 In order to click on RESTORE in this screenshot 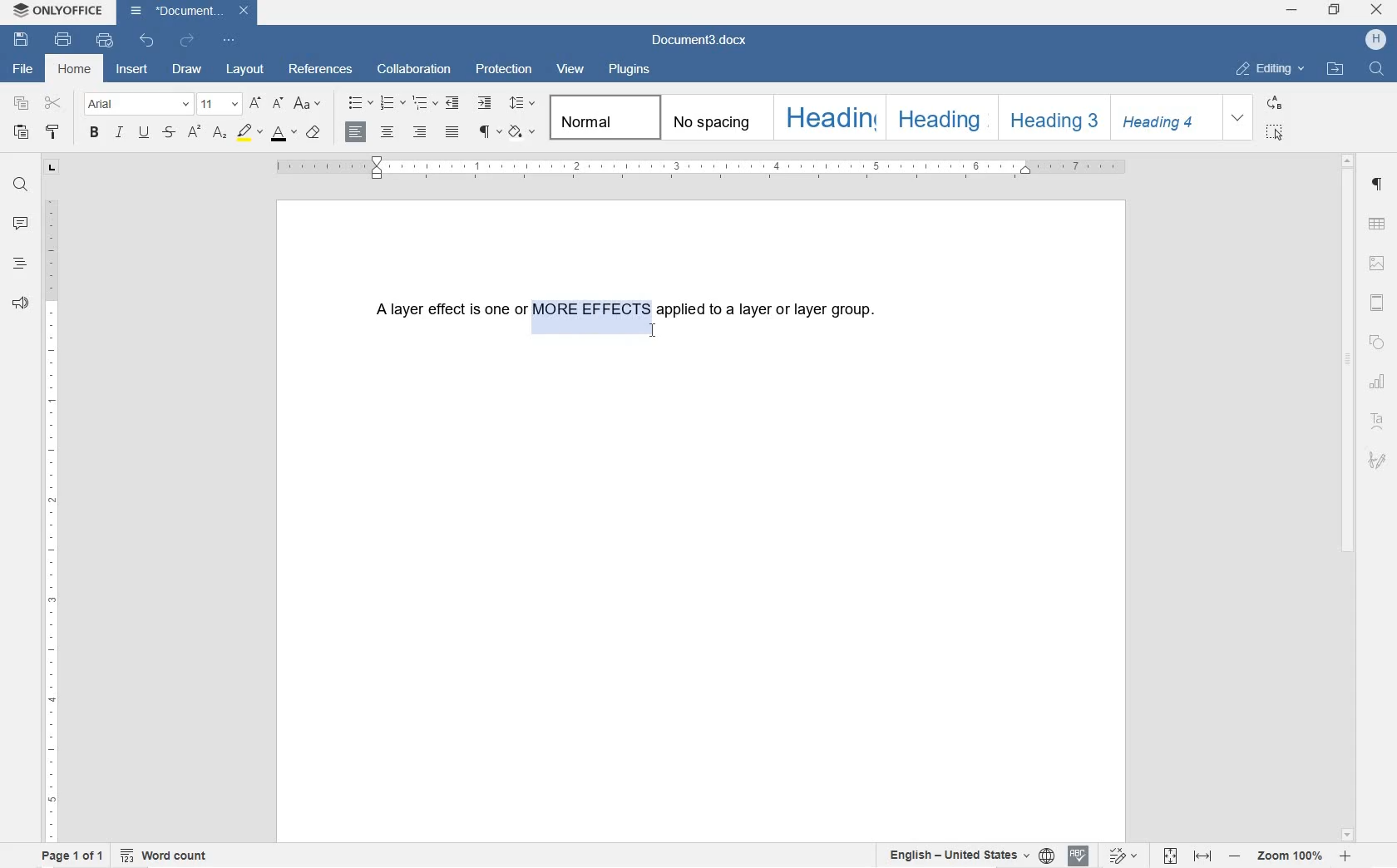, I will do `click(1335, 12)`.